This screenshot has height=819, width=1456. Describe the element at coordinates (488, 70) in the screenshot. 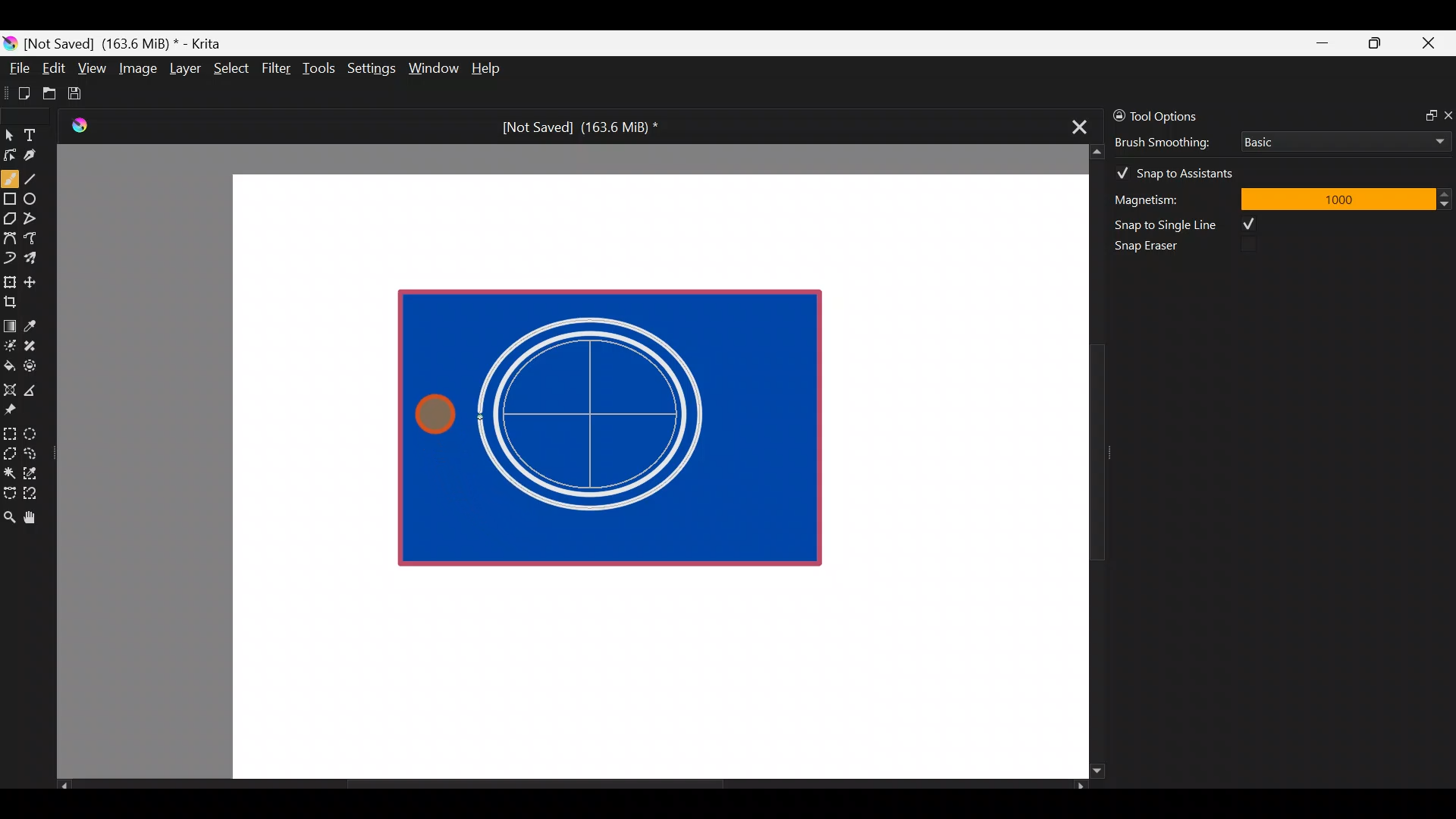

I see `Help` at that location.